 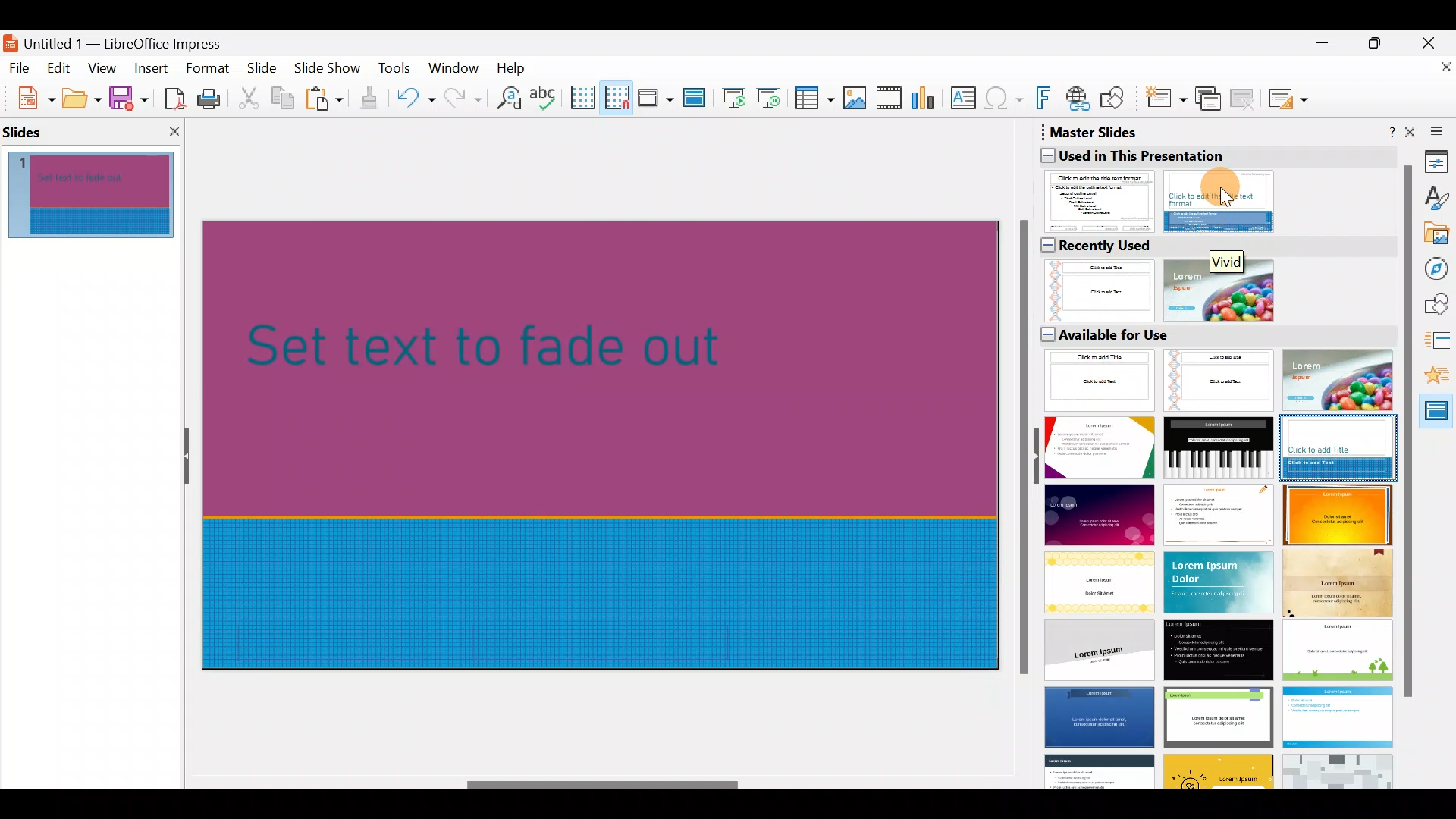 What do you see at coordinates (171, 97) in the screenshot?
I see `Export directly as PDF` at bounding box center [171, 97].